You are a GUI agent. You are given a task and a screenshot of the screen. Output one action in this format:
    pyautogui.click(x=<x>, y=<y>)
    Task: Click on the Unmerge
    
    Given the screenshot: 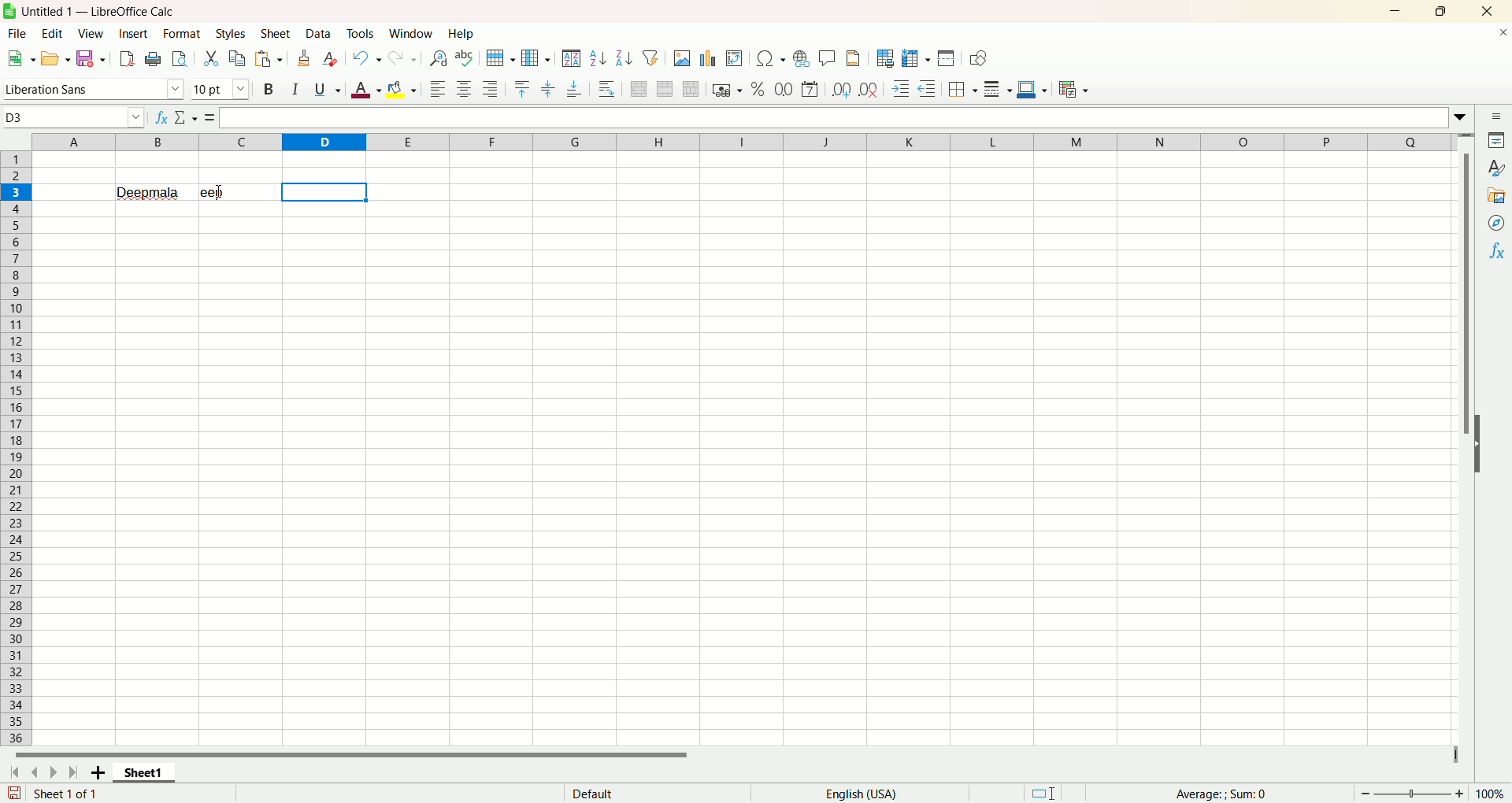 What is the action you would take?
    pyautogui.click(x=692, y=89)
    